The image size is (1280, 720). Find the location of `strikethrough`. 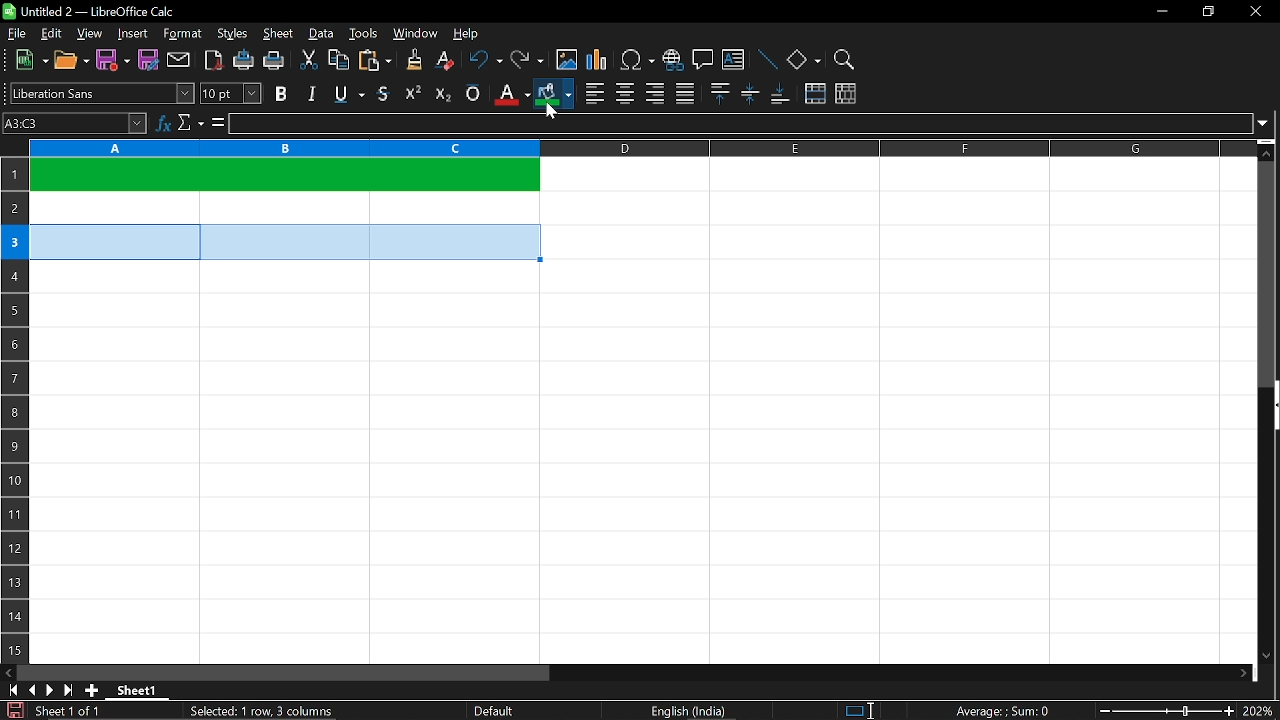

strikethrough is located at coordinates (384, 92).